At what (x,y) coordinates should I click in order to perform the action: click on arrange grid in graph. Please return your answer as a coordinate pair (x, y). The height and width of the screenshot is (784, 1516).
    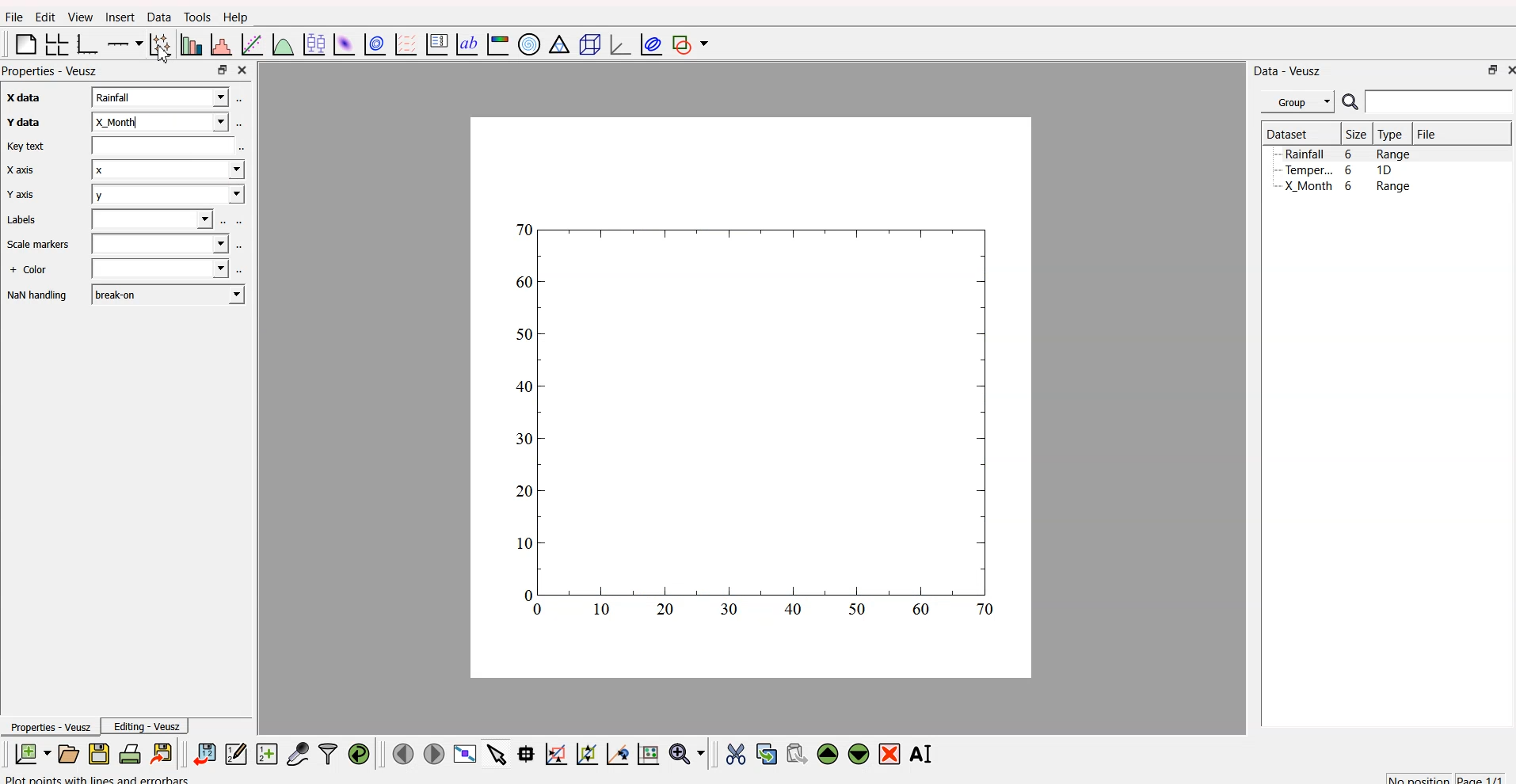
    Looking at the image, I should click on (55, 45).